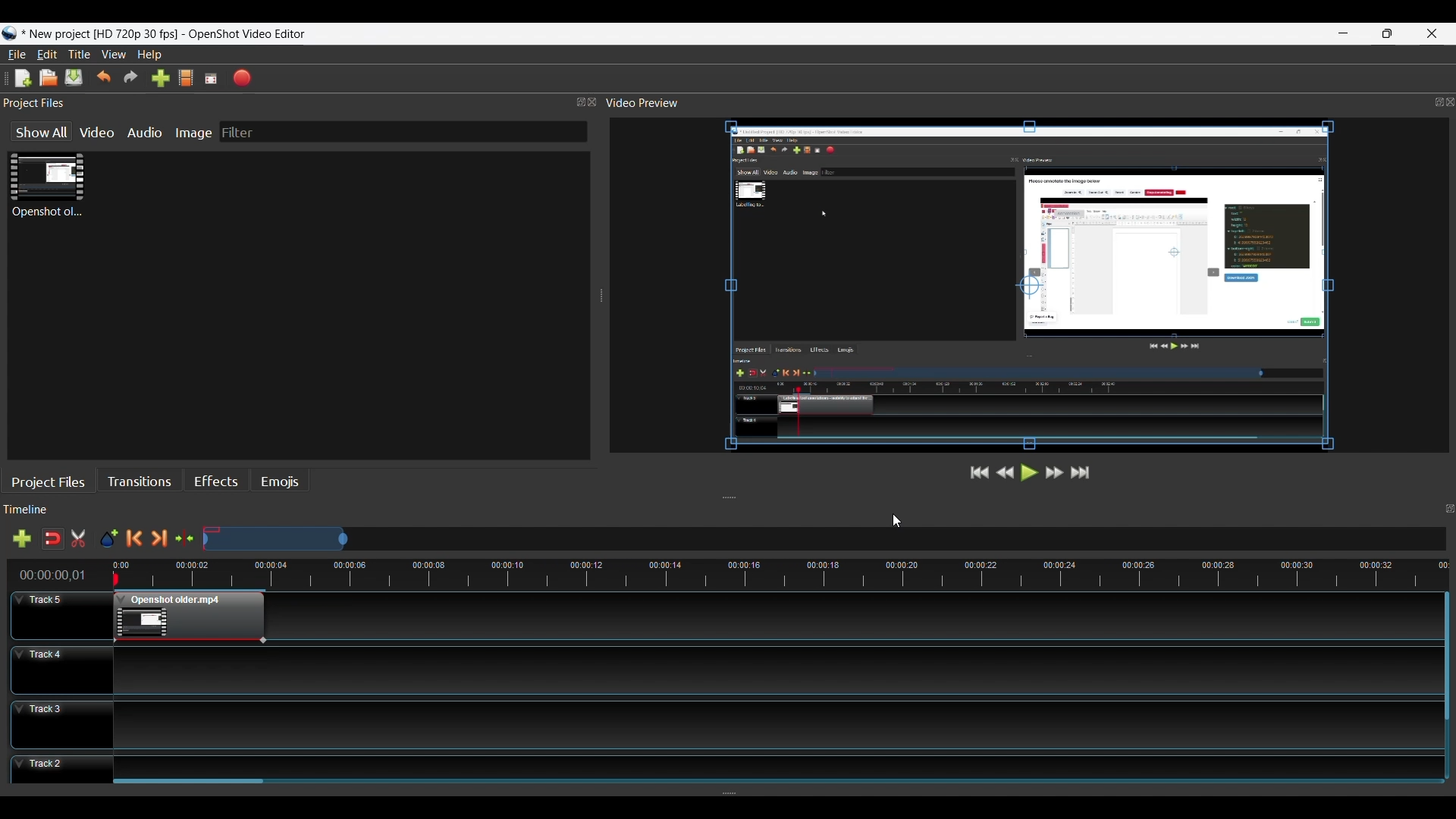 This screenshot has height=819, width=1456. Describe the element at coordinates (1081, 473) in the screenshot. I see `Jump to the End` at that location.